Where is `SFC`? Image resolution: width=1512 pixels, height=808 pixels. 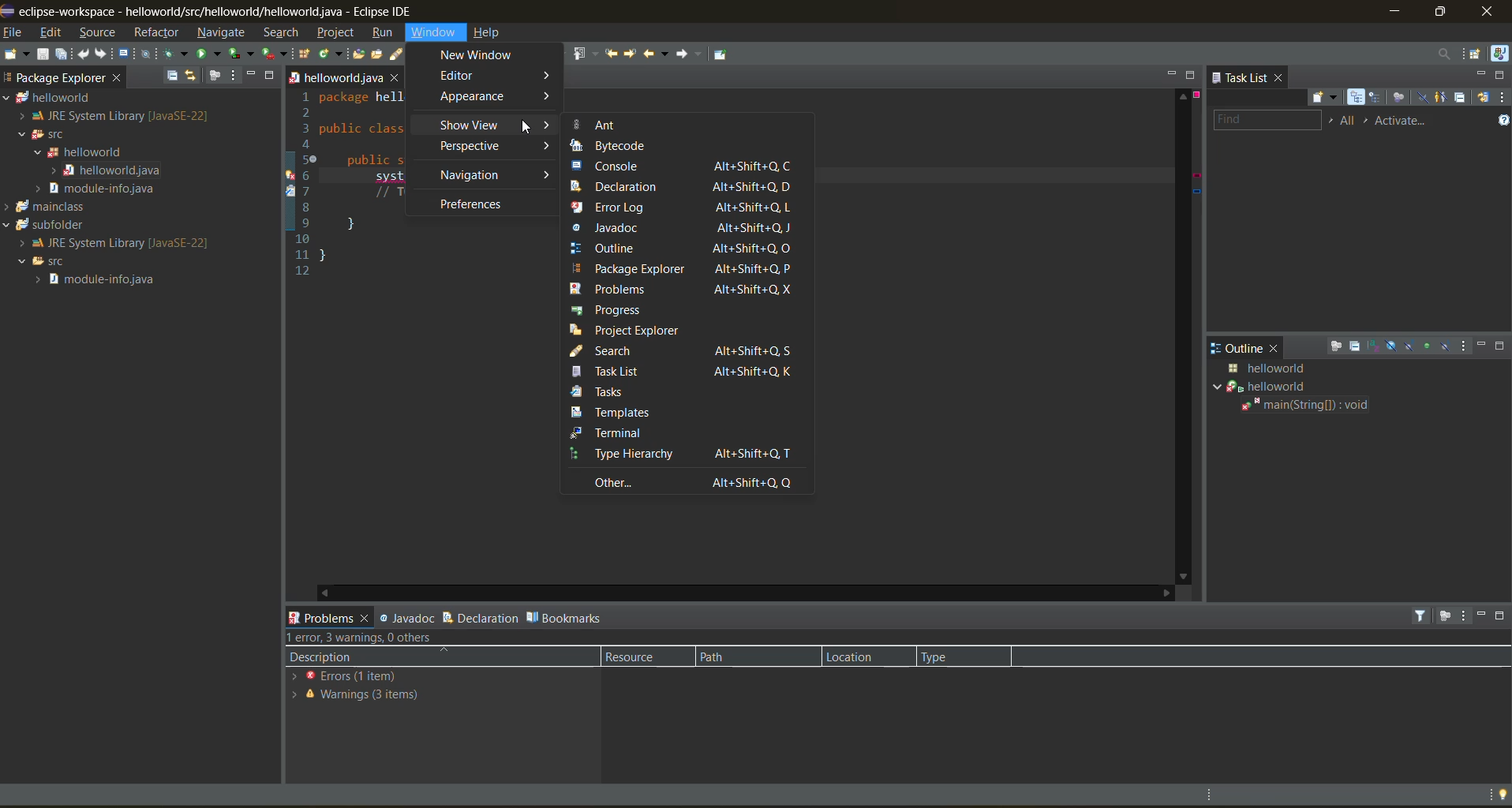
SFC is located at coordinates (47, 133).